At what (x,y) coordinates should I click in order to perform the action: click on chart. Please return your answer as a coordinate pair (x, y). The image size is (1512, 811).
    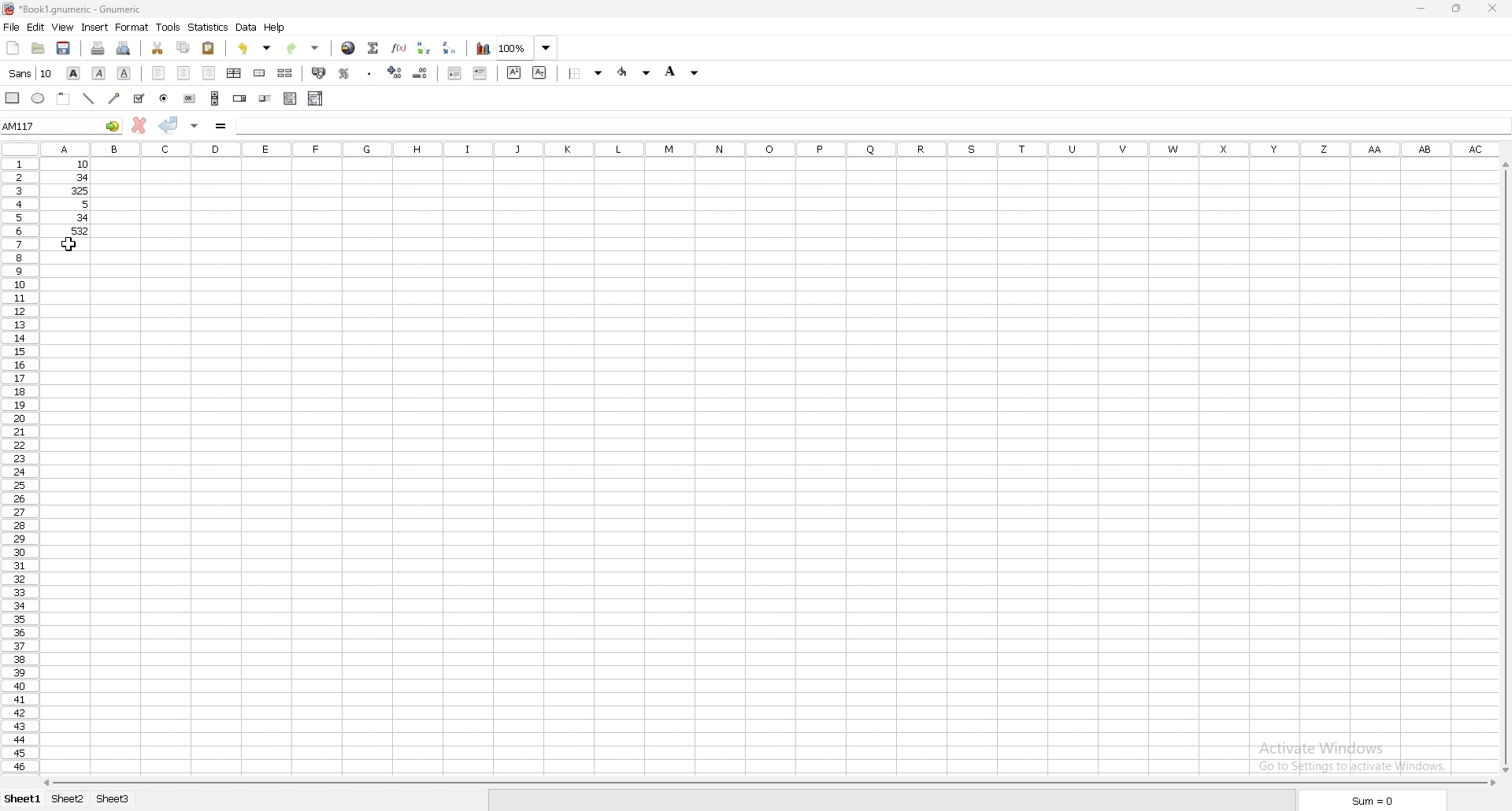
    Looking at the image, I should click on (484, 50).